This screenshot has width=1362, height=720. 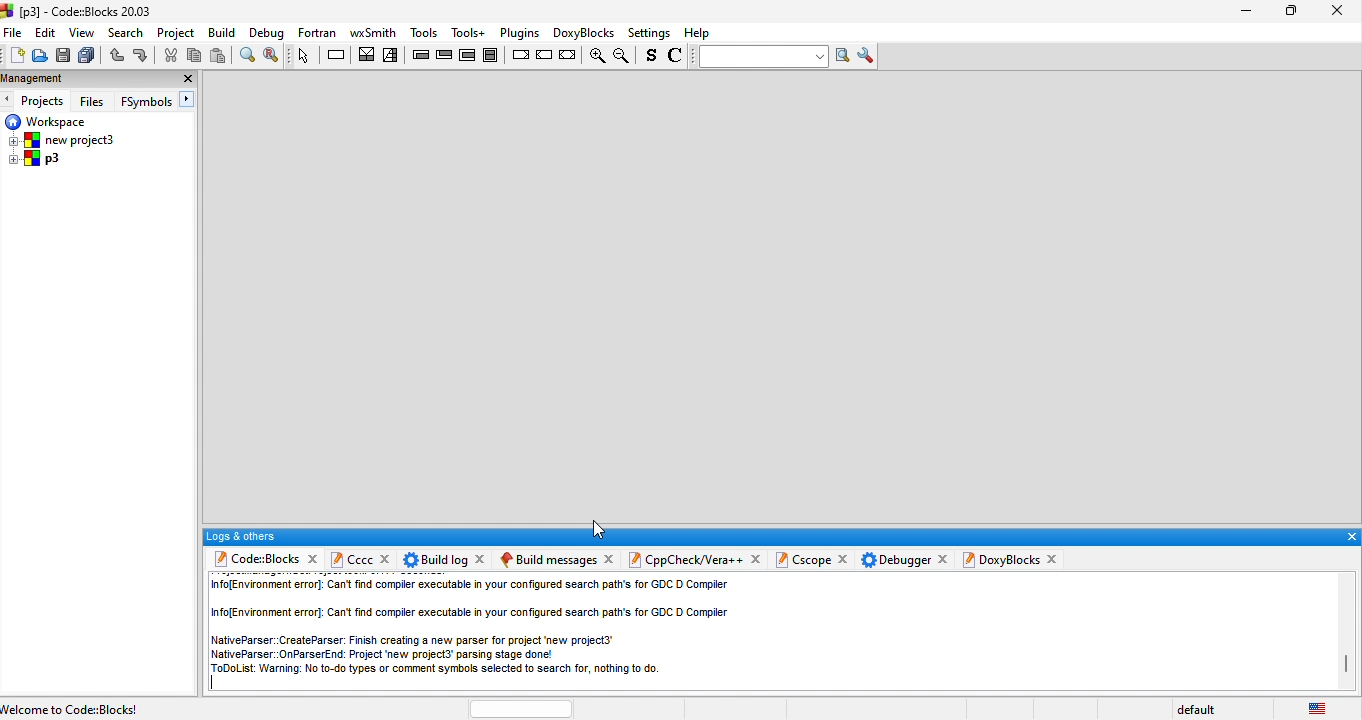 I want to click on show options window, so click(x=868, y=56).